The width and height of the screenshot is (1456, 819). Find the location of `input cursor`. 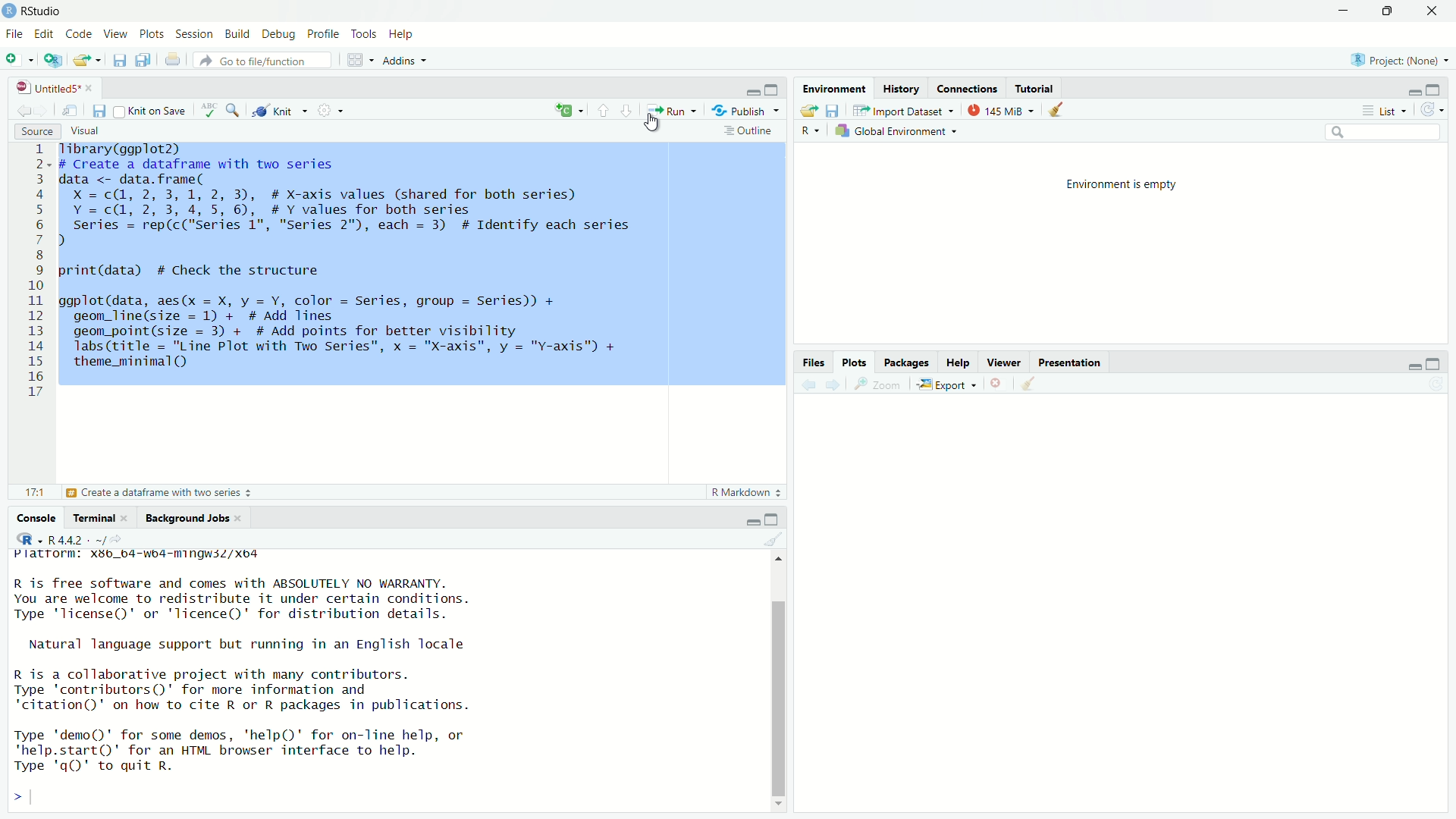

input cursor is located at coordinates (35, 795).